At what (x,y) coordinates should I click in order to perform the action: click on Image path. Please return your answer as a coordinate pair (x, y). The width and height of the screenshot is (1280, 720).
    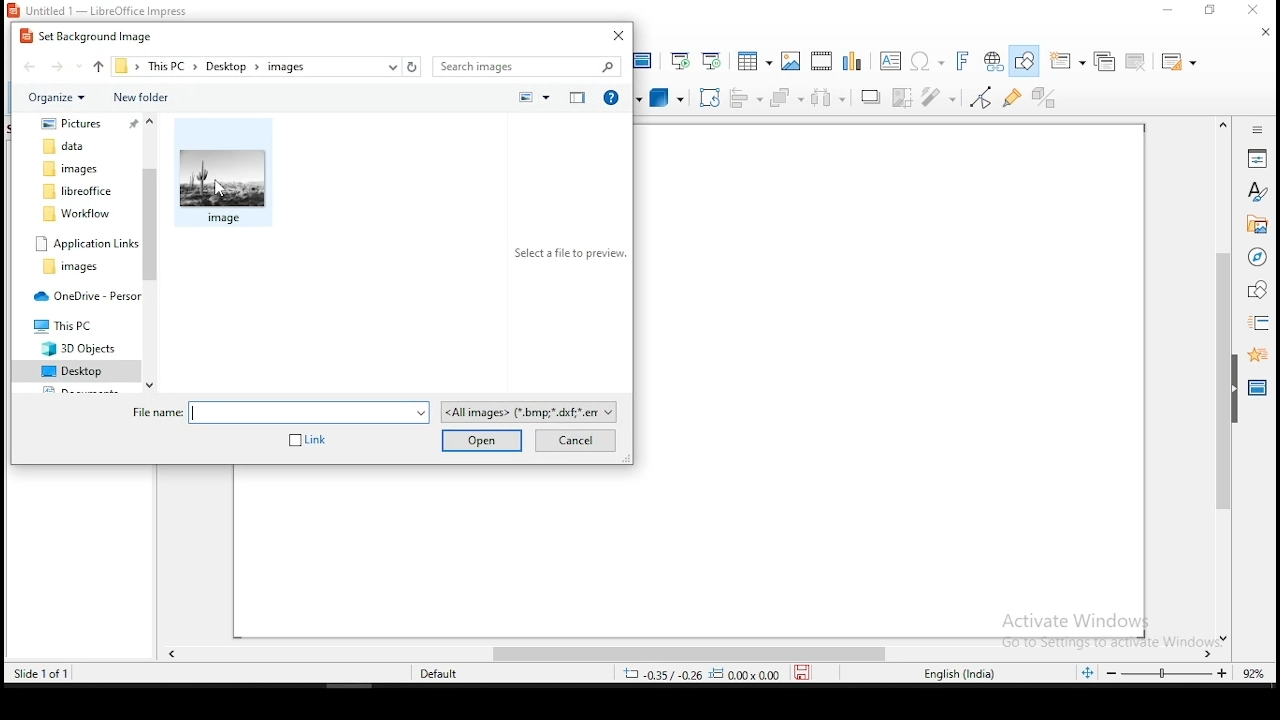
    Looking at the image, I should click on (233, 66).